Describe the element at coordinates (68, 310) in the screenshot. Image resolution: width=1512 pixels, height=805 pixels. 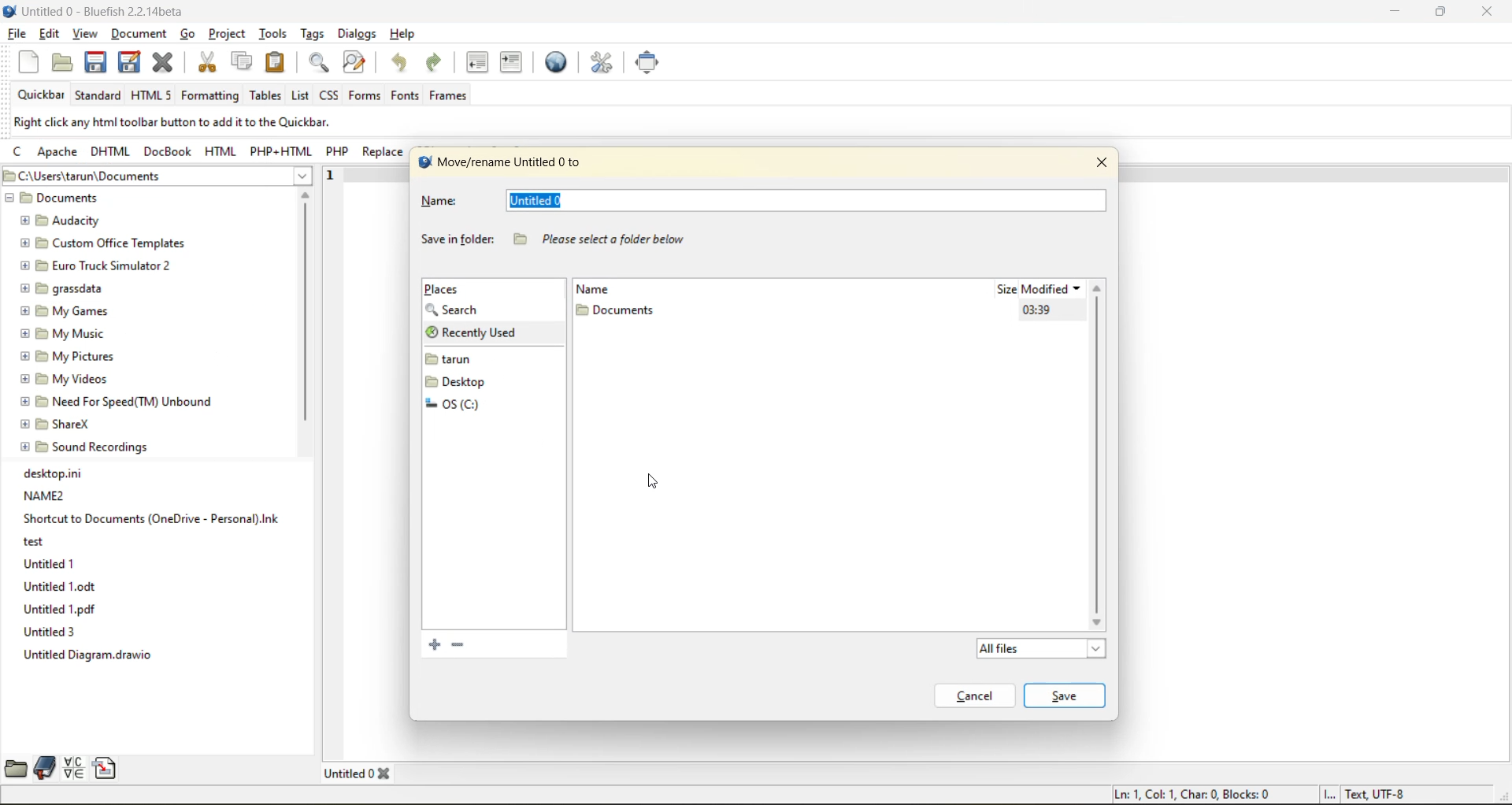
I see `My Games` at that location.